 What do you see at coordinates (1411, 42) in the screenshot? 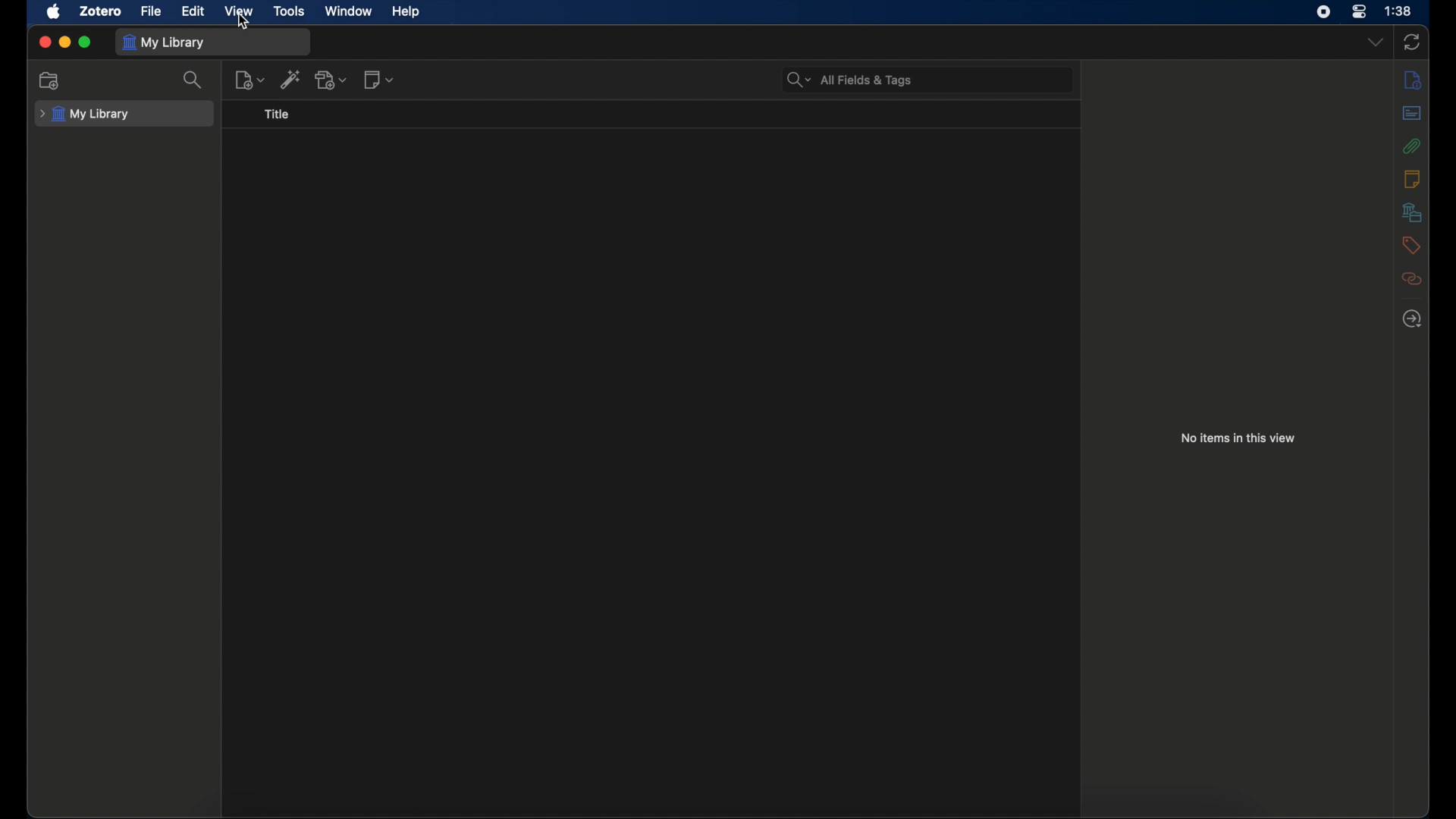
I see `sync` at bounding box center [1411, 42].